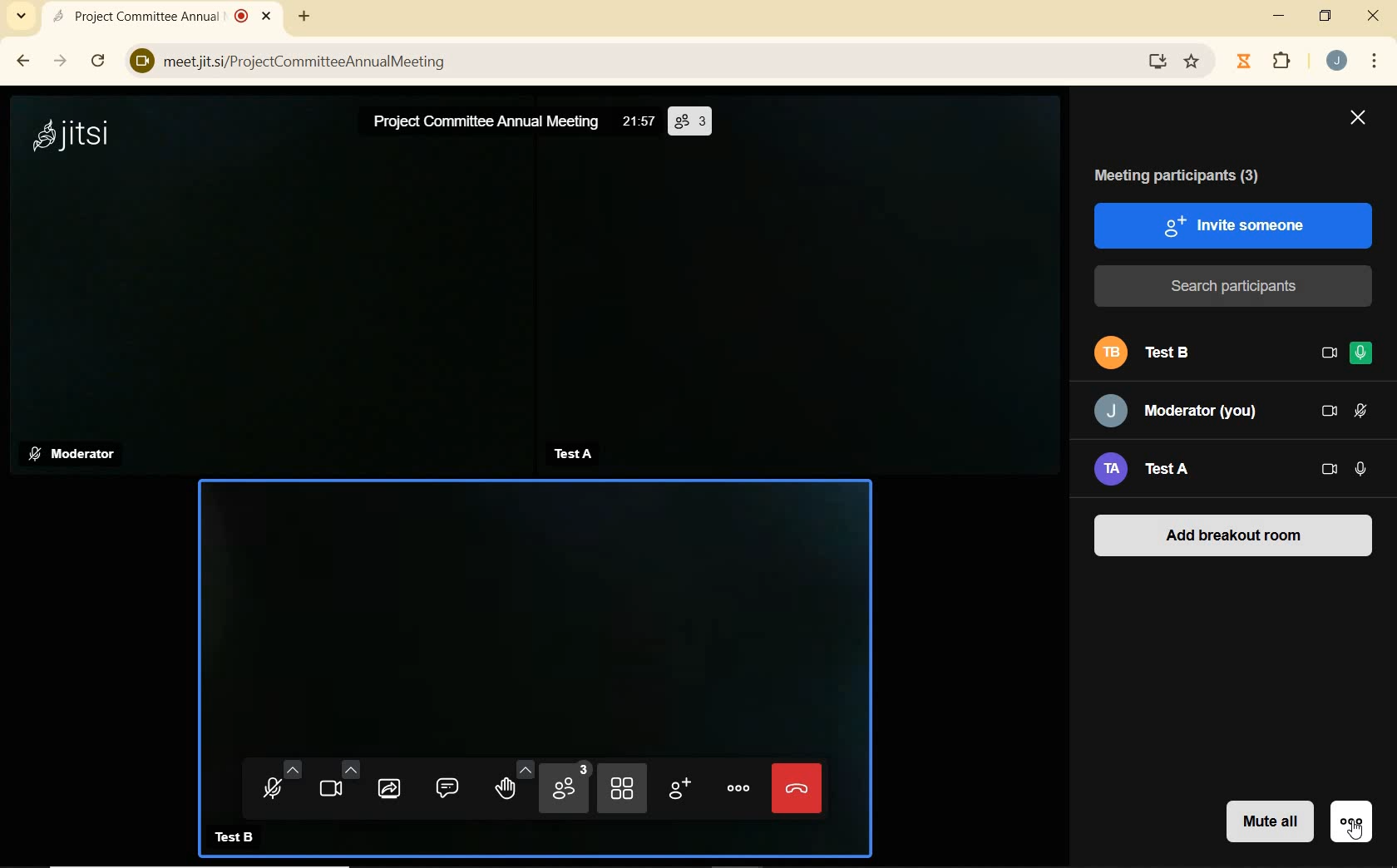 This screenshot has height=868, width=1397. I want to click on moderator camera, so click(268, 298).